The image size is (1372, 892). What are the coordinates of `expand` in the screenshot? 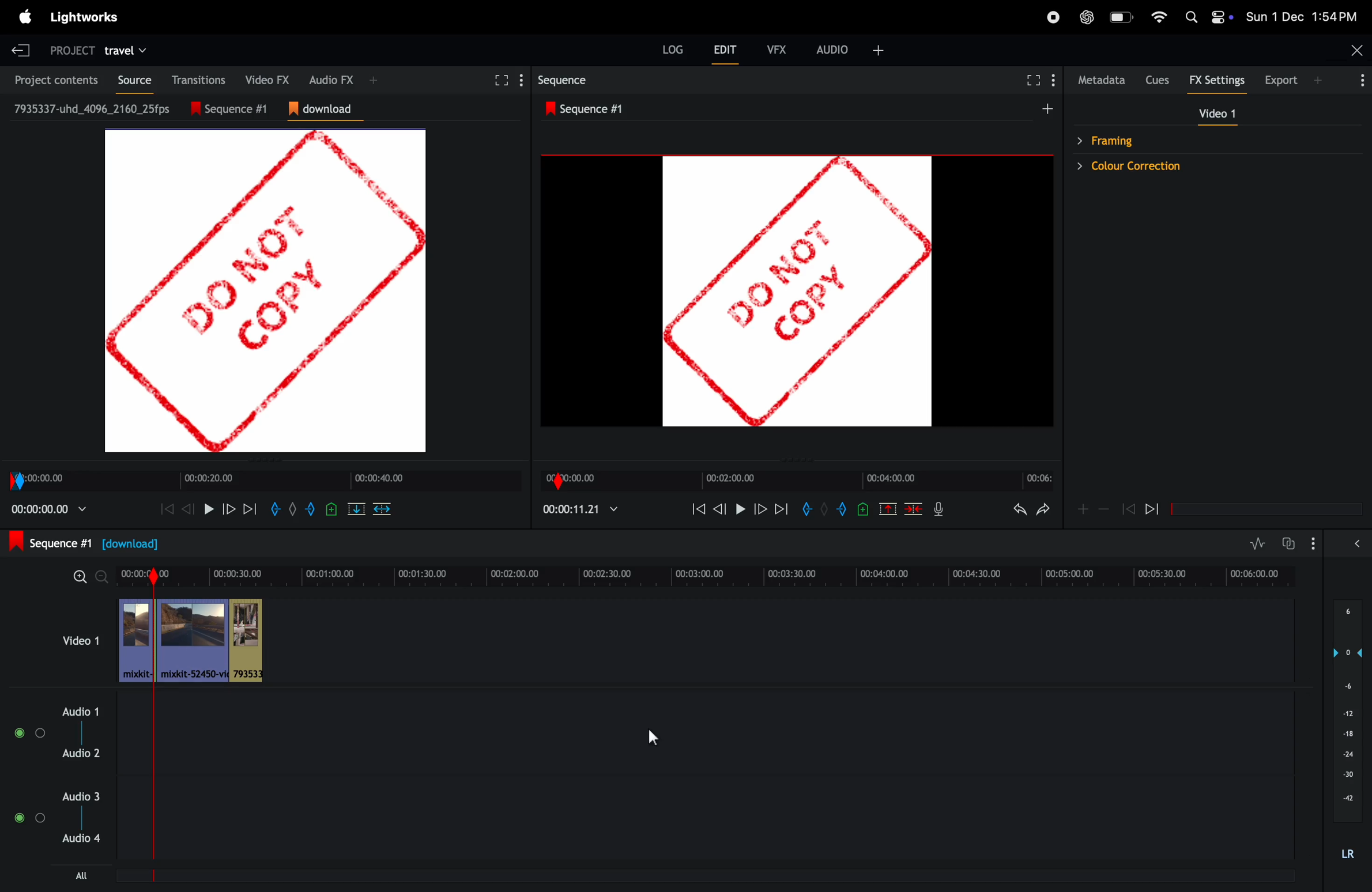 It's located at (1357, 543).